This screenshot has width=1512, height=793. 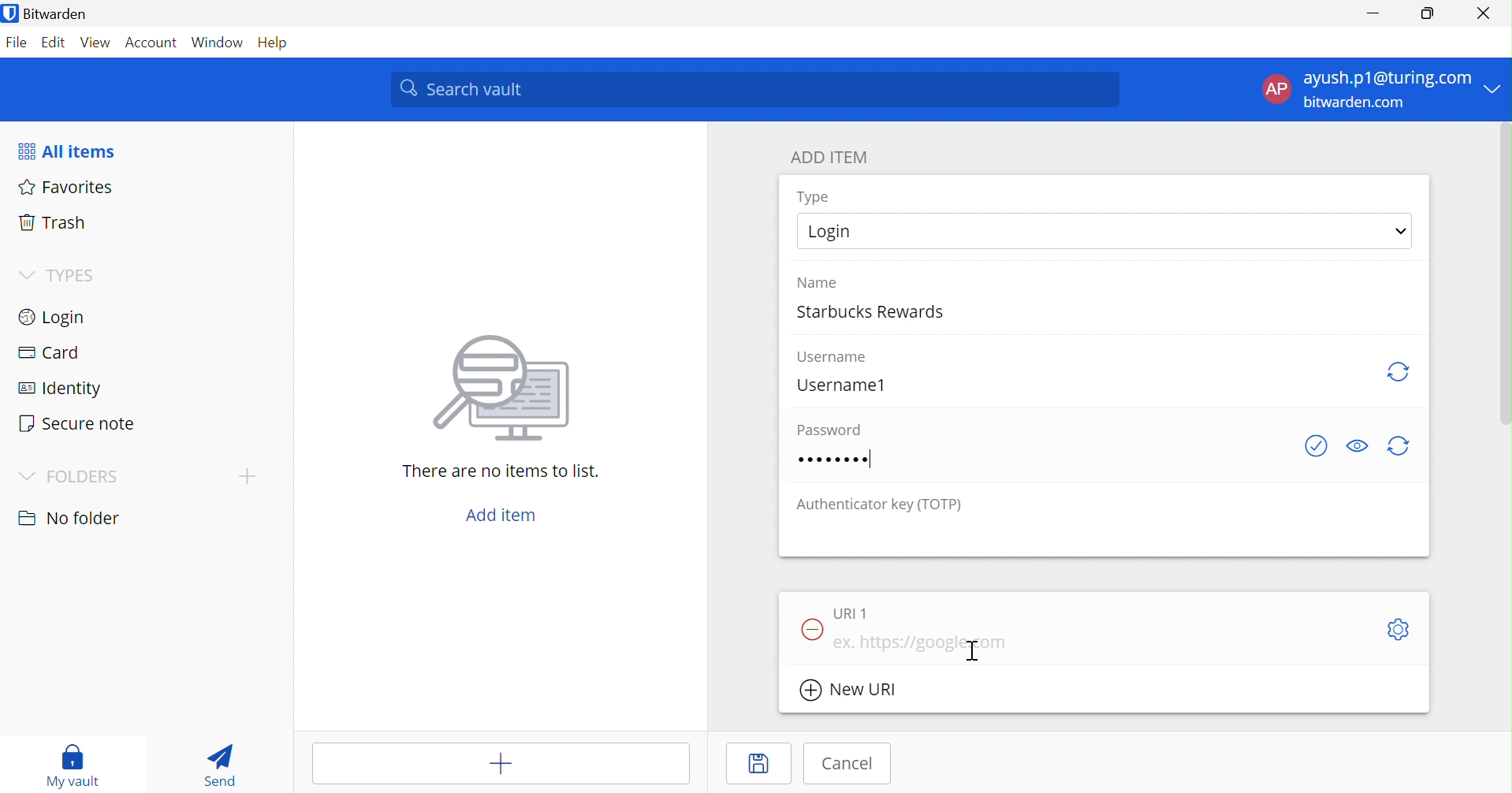 I want to click on Password, so click(x=829, y=430).